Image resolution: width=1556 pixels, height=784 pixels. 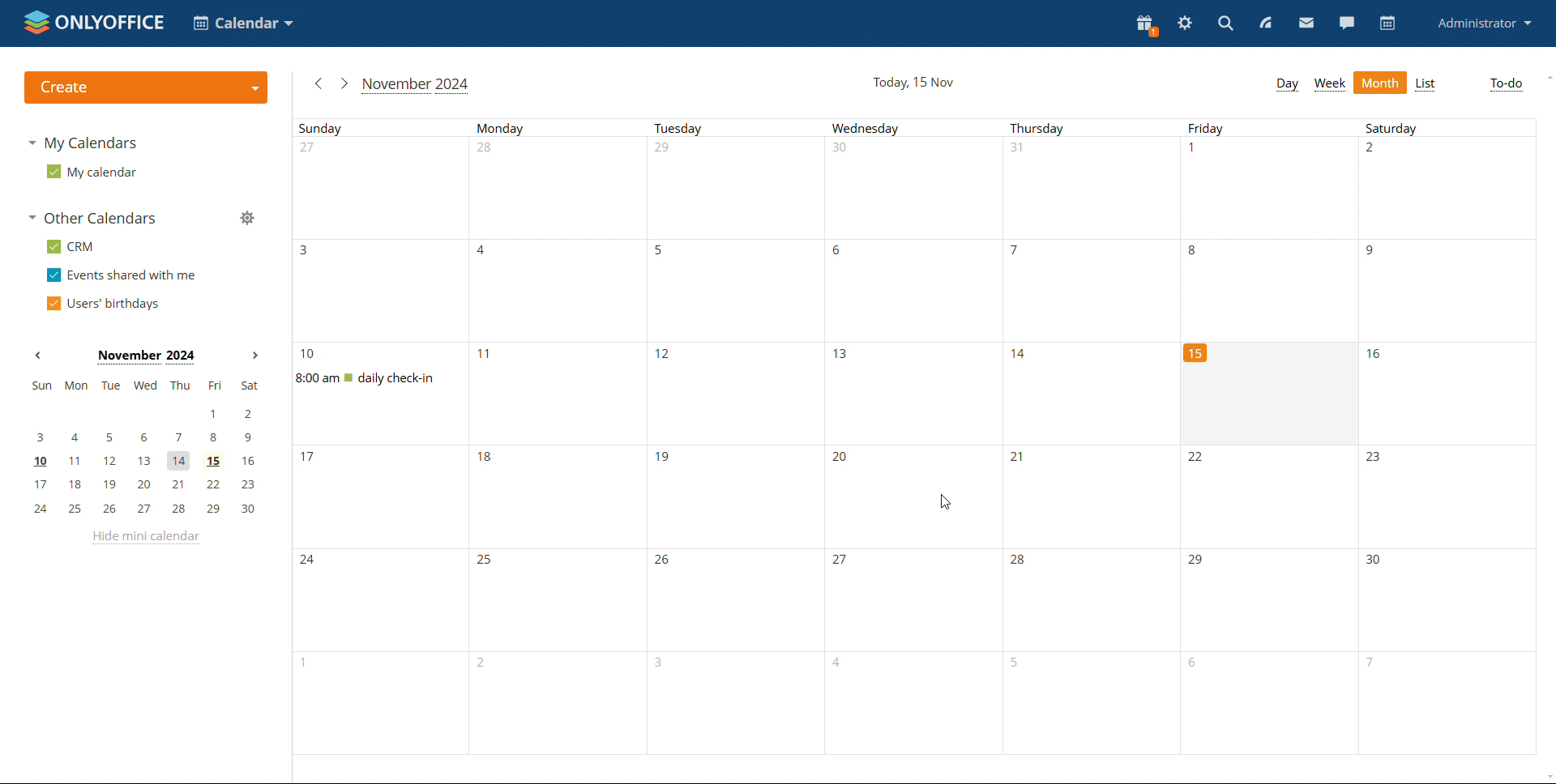 What do you see at coordinates (1267, 128) in the screenshot?
I see `individual day` at bounding box center [1267, 128].